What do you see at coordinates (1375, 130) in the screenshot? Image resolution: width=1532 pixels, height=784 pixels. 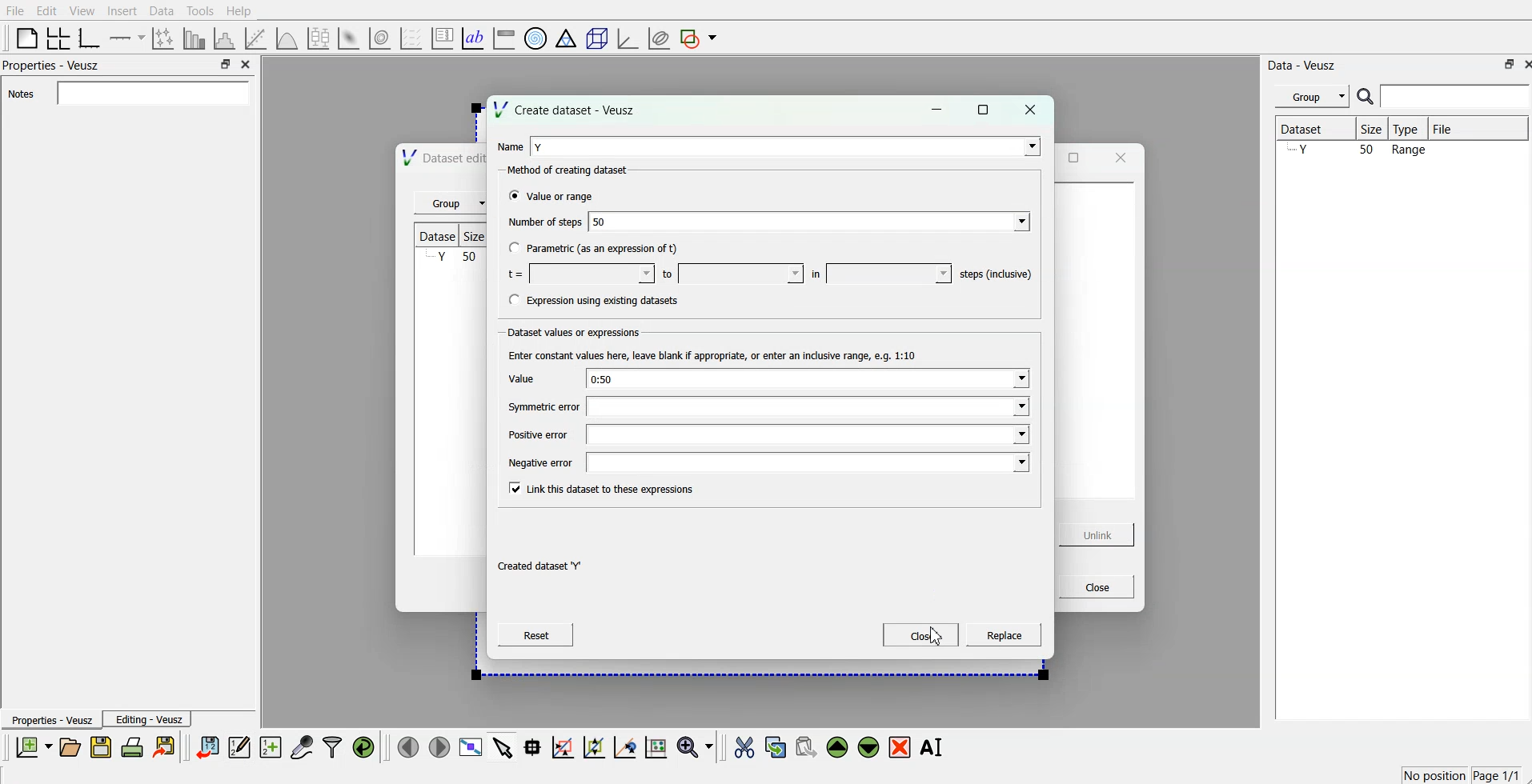 I see `Size` at bounding box center [1375, 130].